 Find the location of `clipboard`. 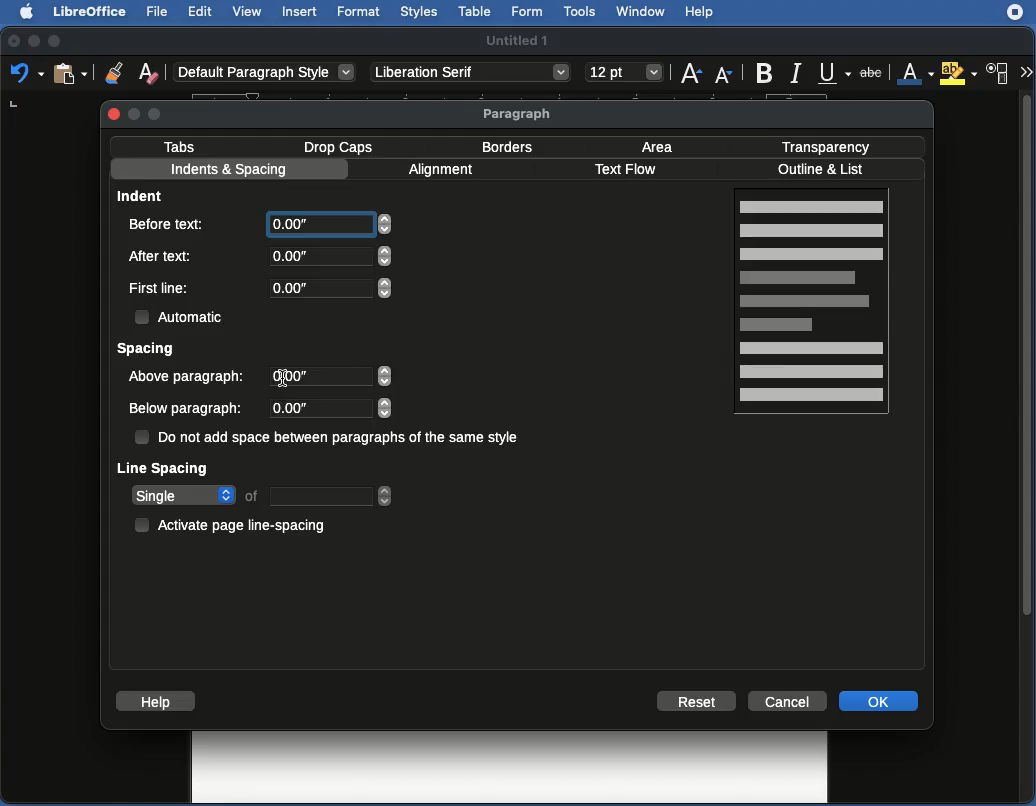

clipboard is located at coordinates (69, 73).